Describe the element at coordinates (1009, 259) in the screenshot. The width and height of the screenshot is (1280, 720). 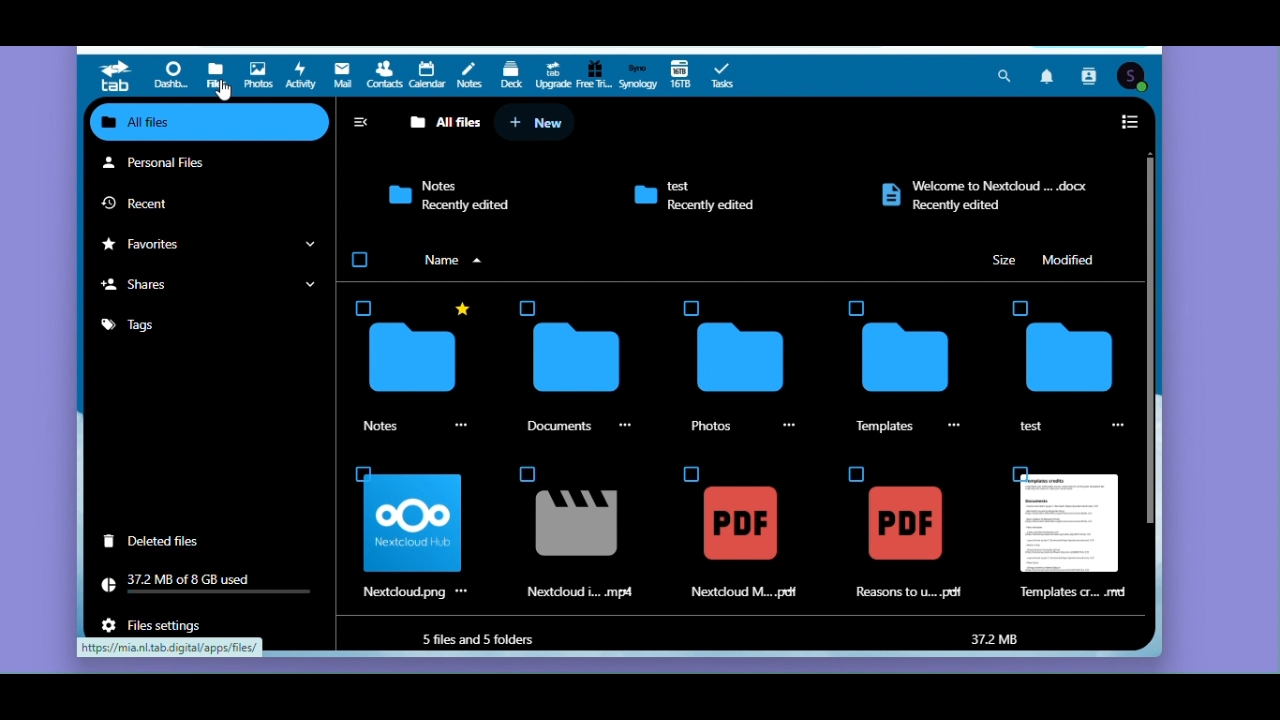
I see `Size` at that location.